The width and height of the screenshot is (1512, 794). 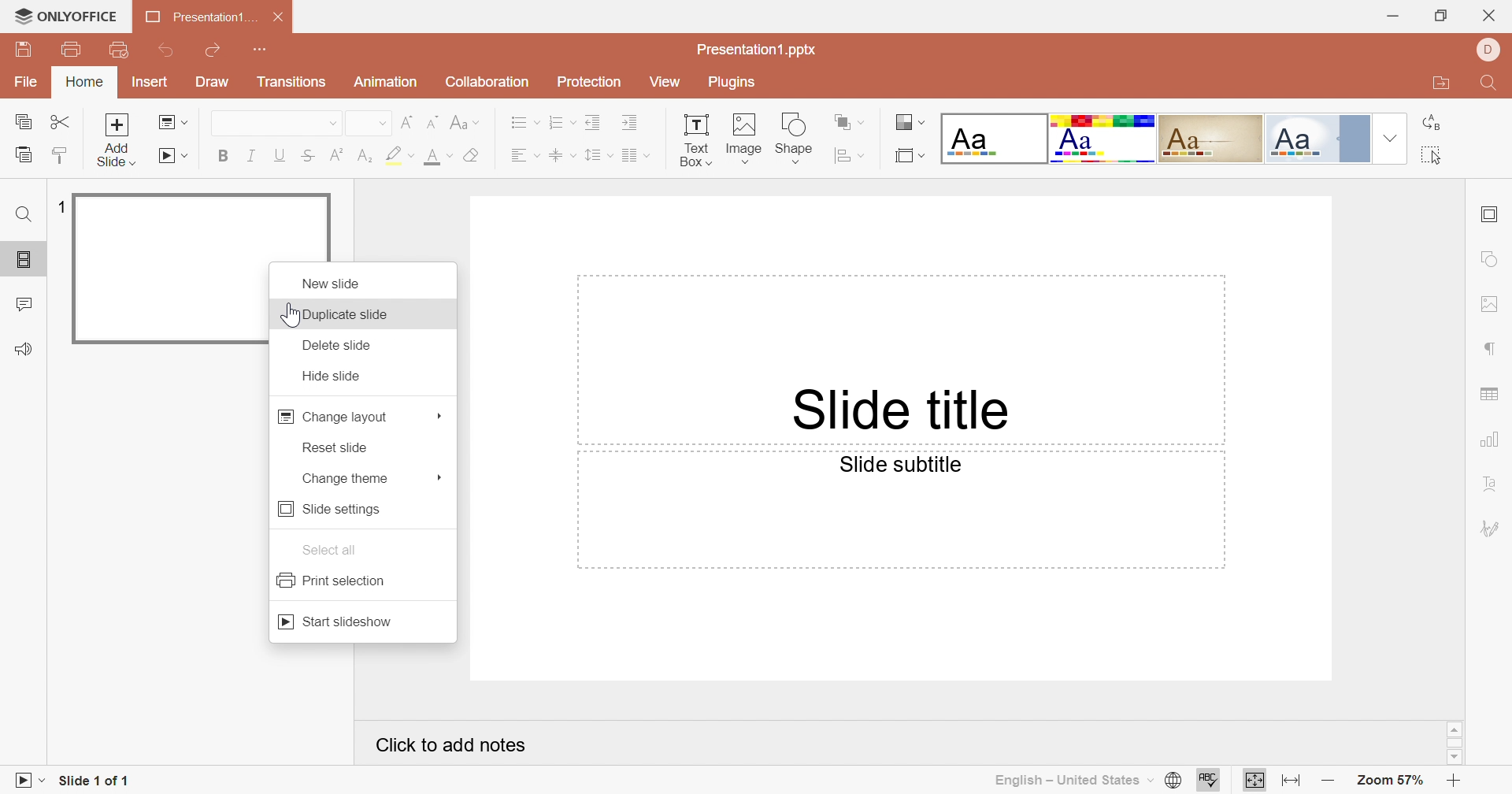 I want to click on Drop Down, so click(x=43, y=777).